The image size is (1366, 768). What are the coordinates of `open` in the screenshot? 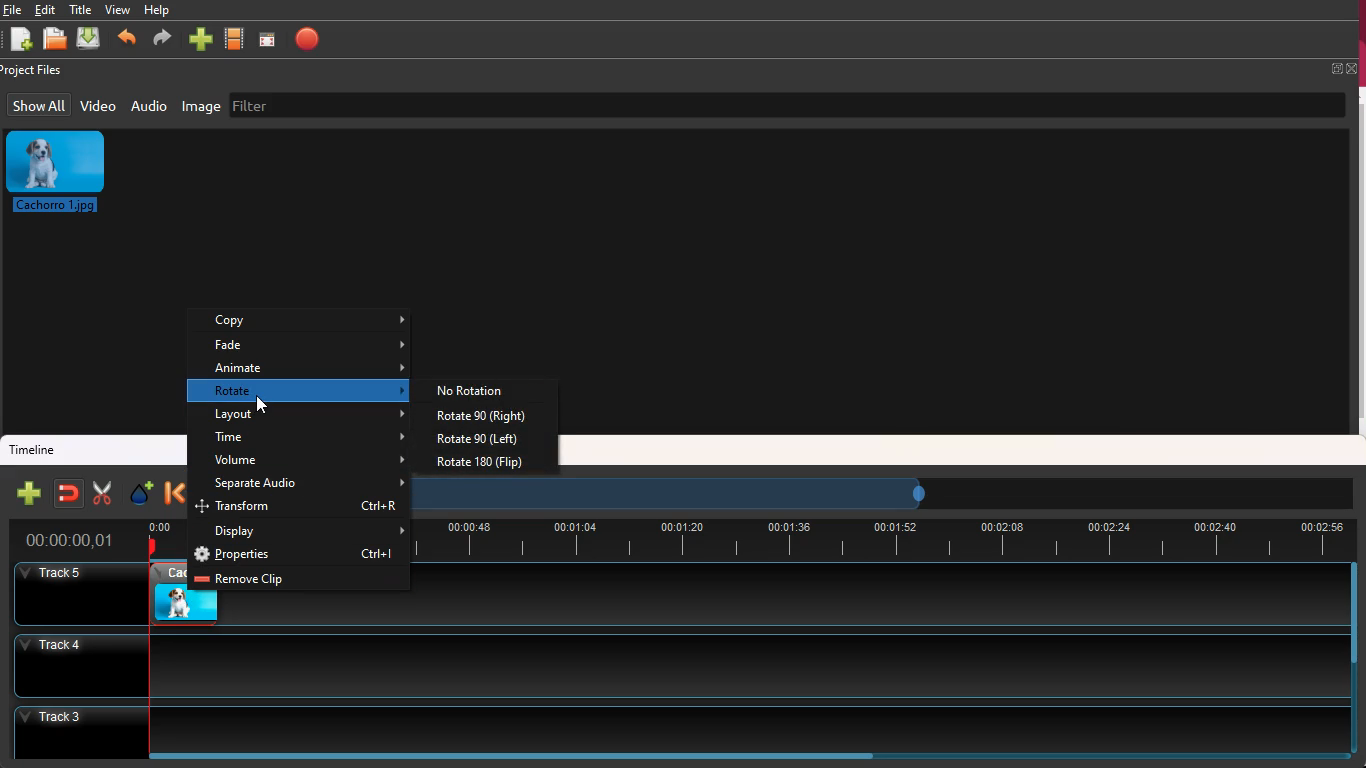 It's located at (55, 40).